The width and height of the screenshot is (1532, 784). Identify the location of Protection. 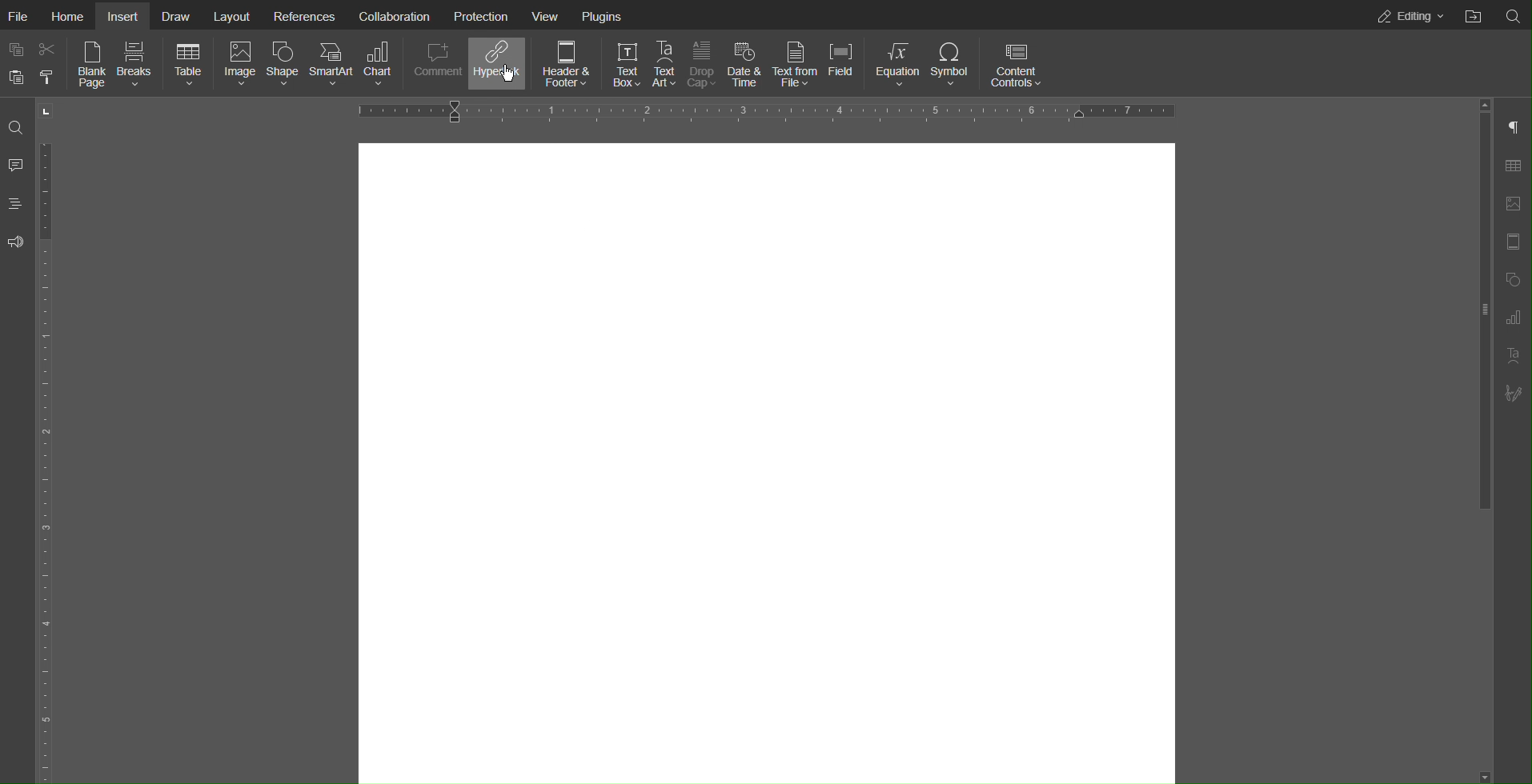
(478, 14).